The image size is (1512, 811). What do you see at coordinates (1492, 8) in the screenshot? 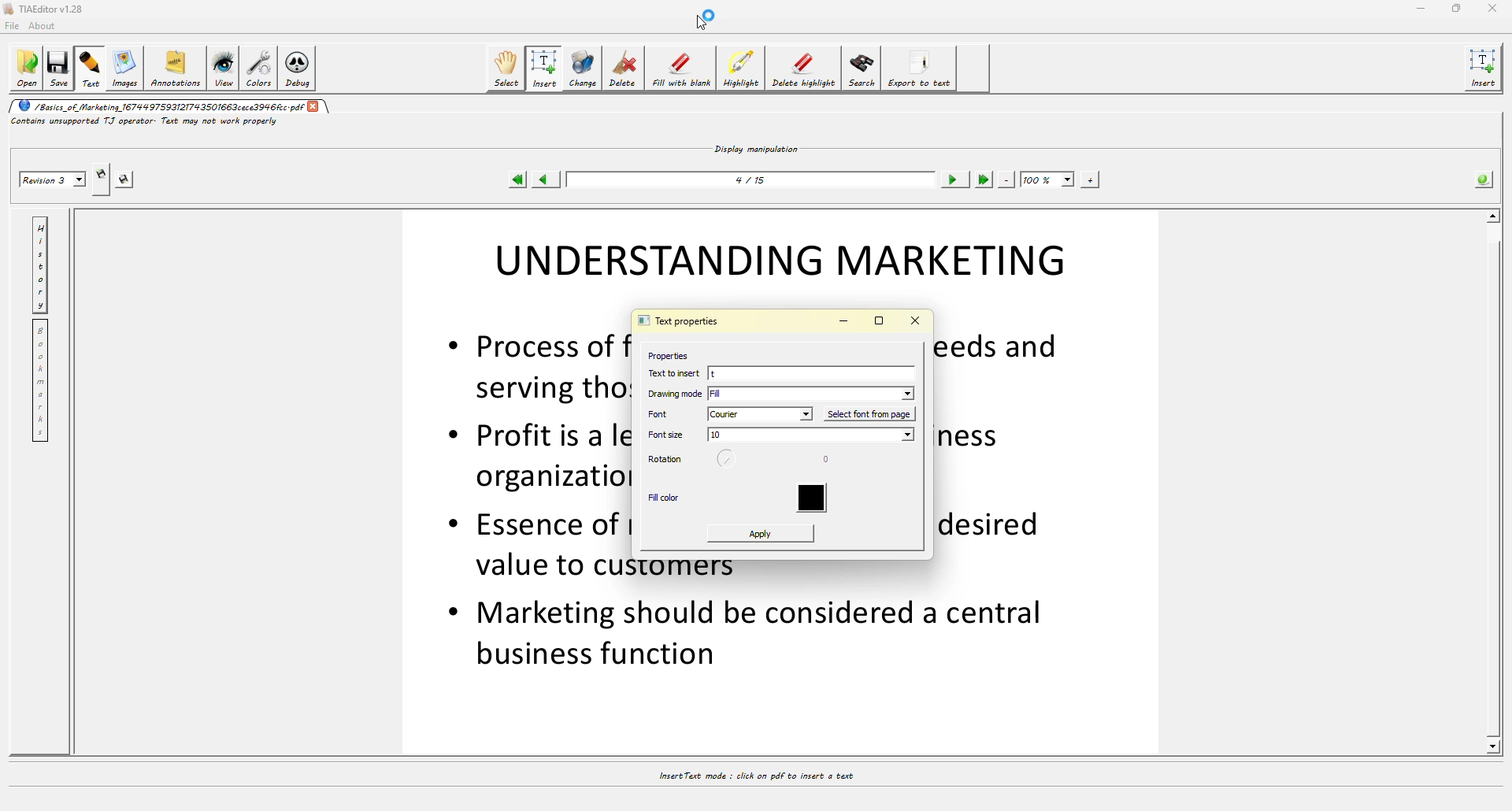
I see `close` at bounding box center [1492, 8].